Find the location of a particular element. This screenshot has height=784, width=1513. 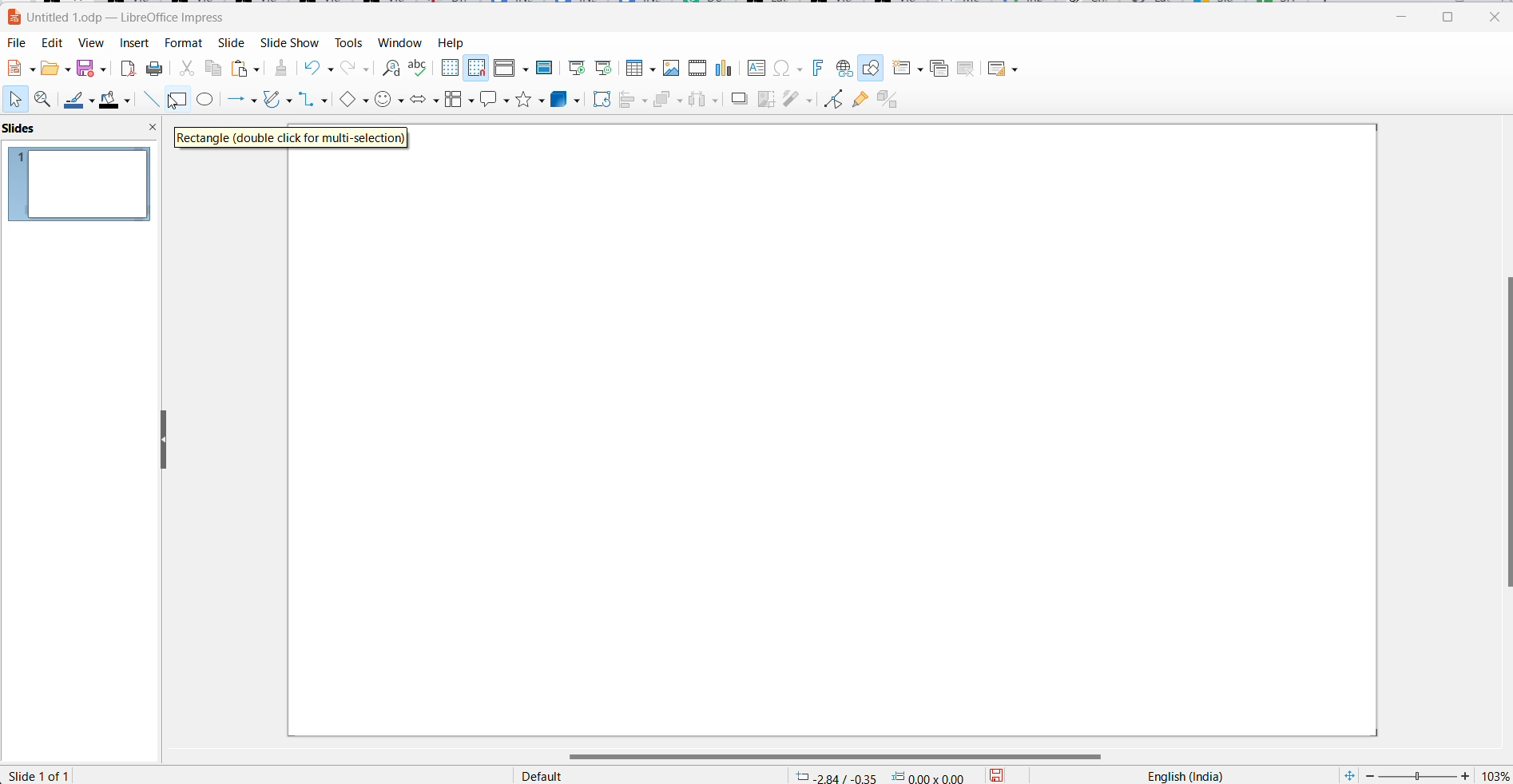

new file is located at coordinates (19, 69).